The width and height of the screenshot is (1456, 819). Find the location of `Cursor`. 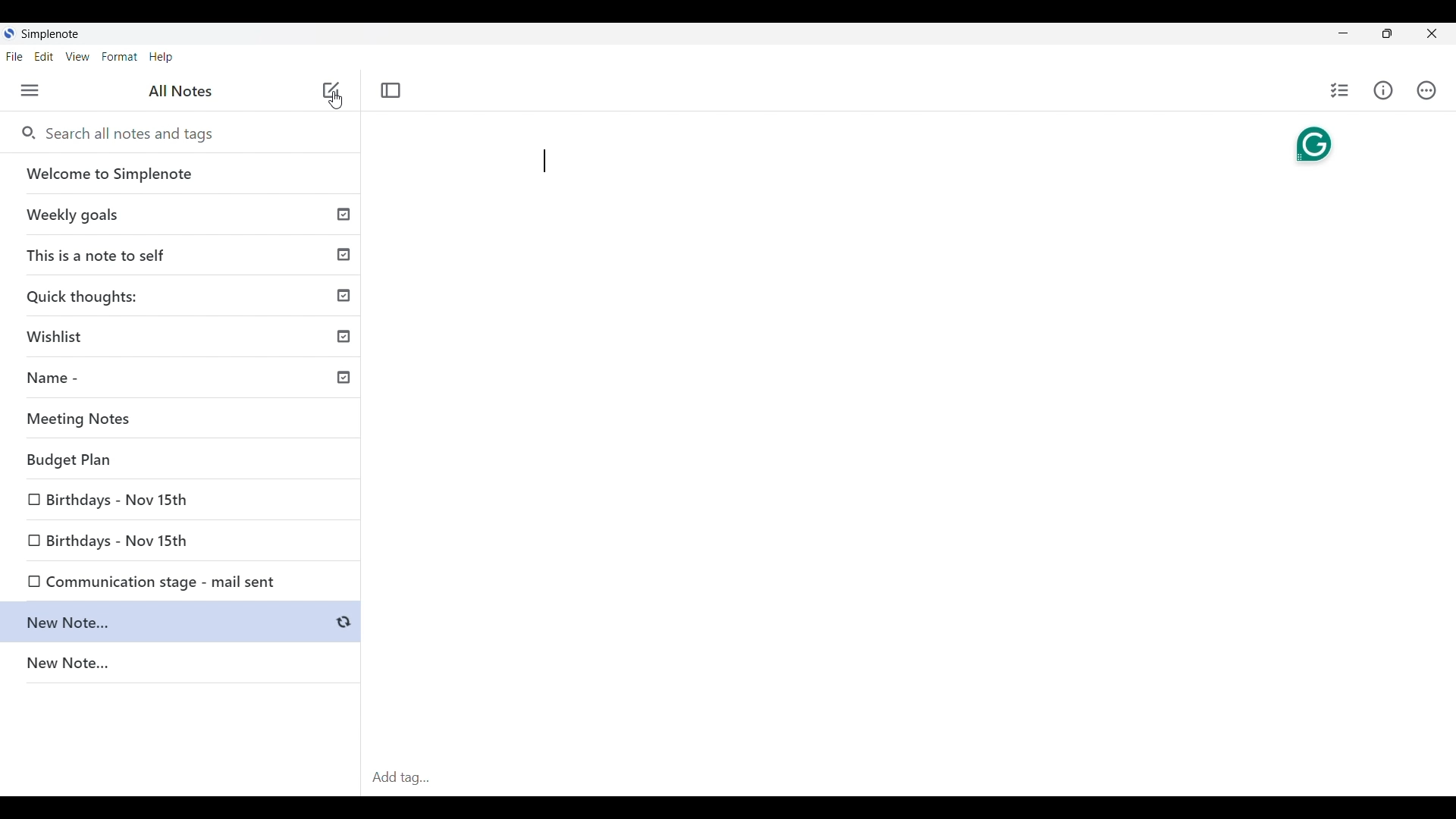

Cursor is located at coordinates (336, 100).